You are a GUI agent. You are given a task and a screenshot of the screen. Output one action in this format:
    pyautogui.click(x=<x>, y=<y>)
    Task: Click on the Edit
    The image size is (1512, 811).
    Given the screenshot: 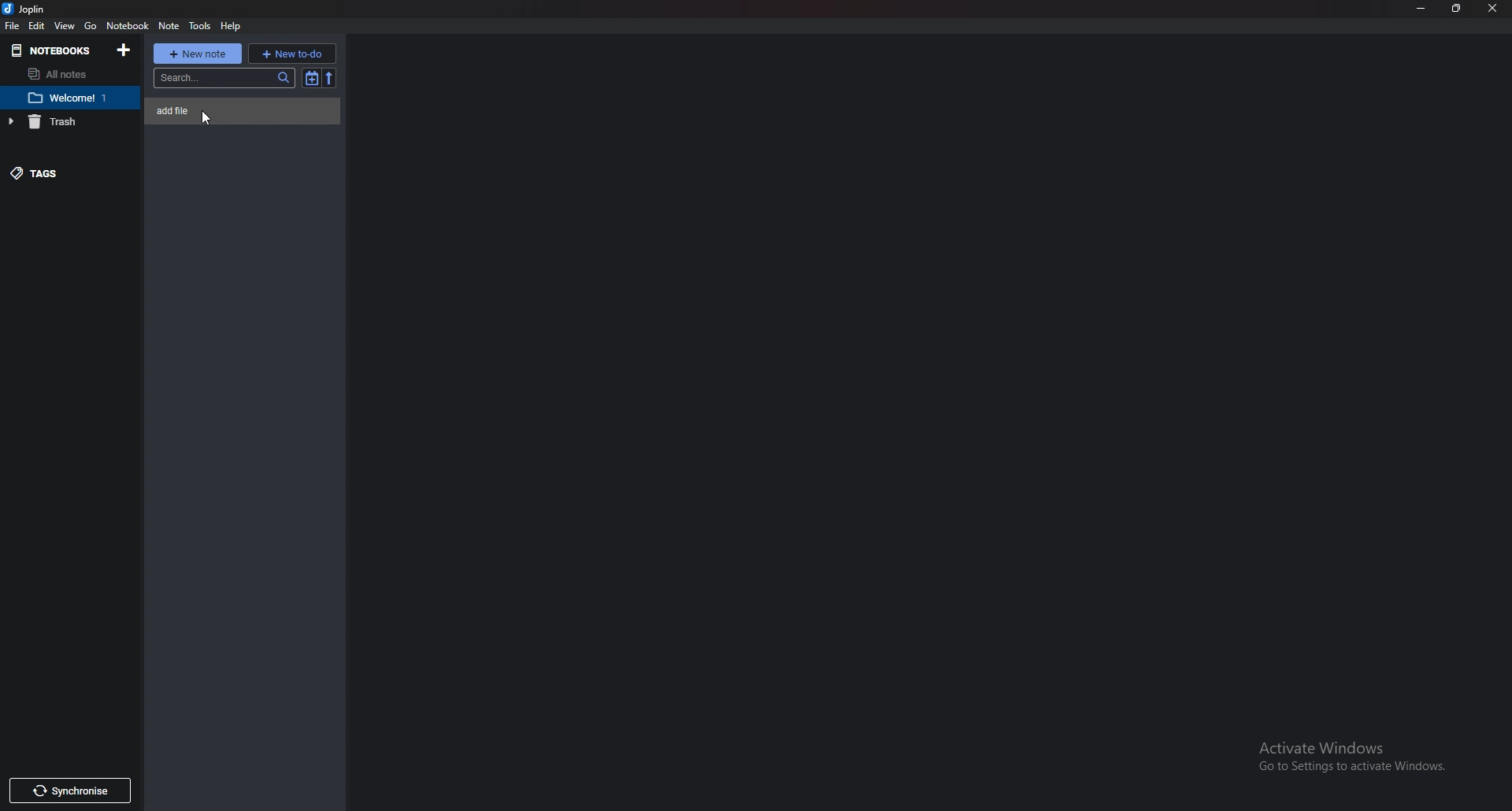 What is the action you would take?
    pyautogui.click(x=38, y=27)
    